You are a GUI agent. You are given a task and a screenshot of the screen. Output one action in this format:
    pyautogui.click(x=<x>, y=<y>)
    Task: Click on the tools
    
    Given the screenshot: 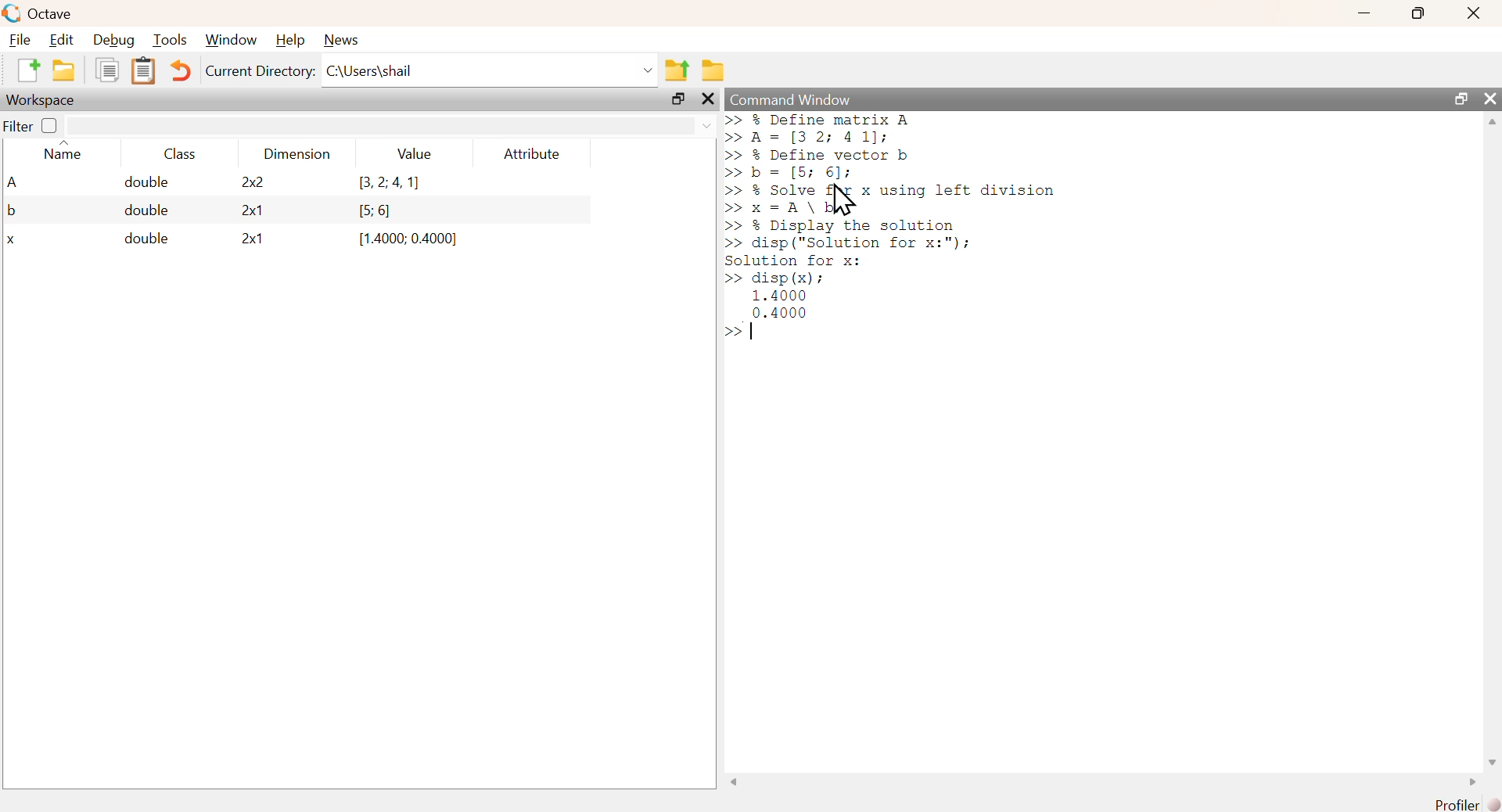 What is the action you would take?
    pyautogui.click(x=171, y=40)
    